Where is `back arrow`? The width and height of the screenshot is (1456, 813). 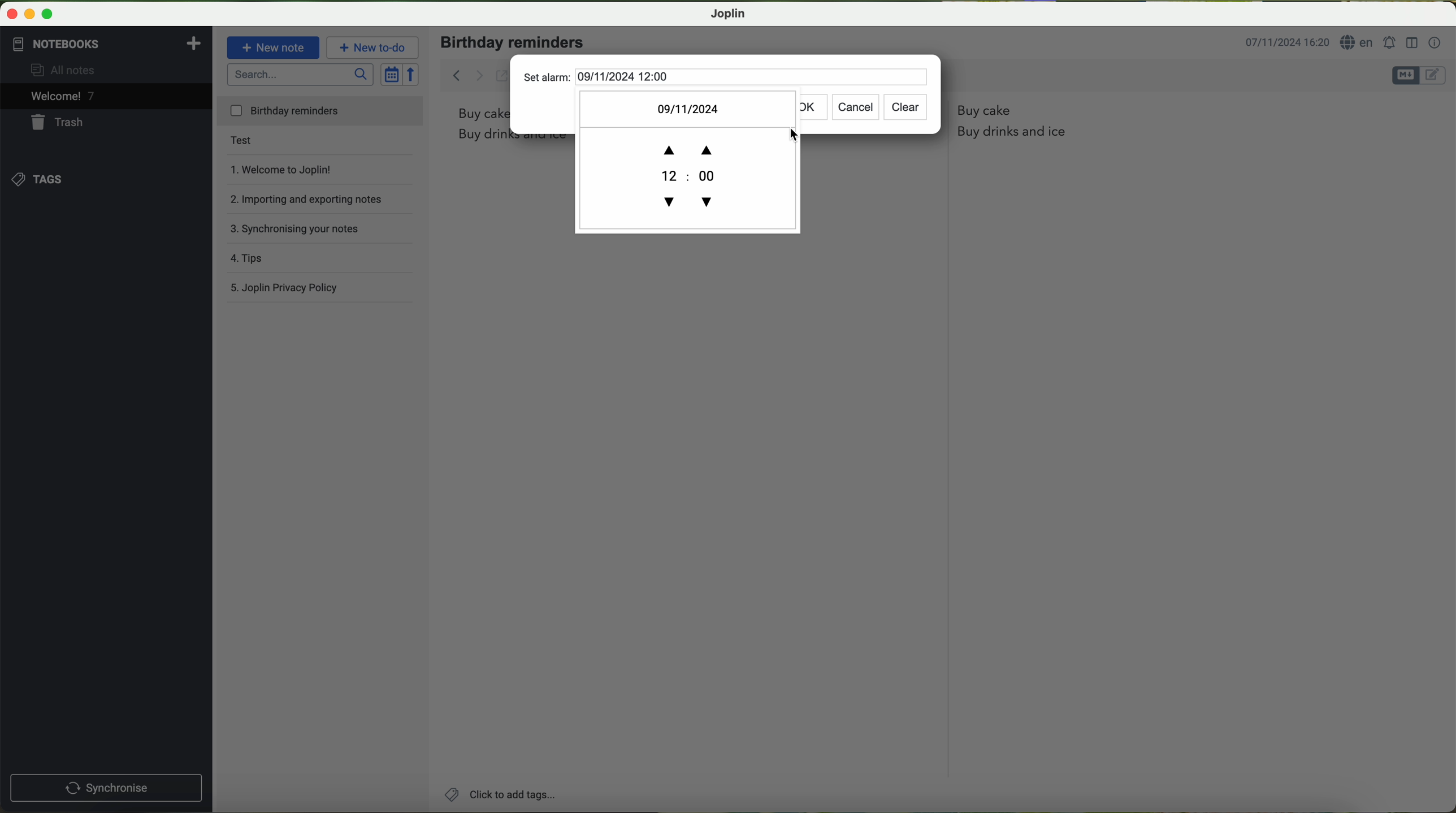 back arrow is located at coordinates (466, 74).